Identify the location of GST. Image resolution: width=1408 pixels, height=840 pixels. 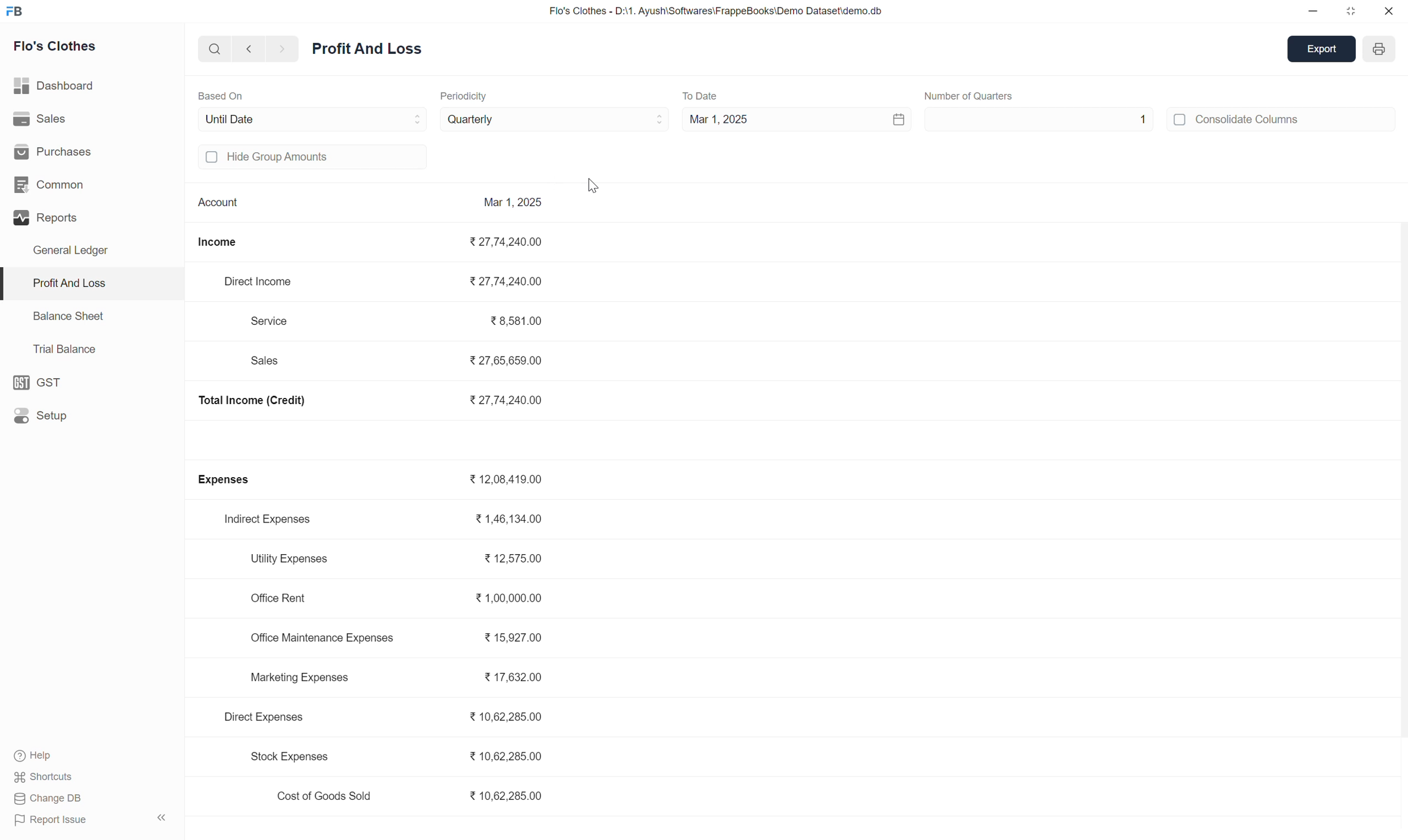
(48, 380).